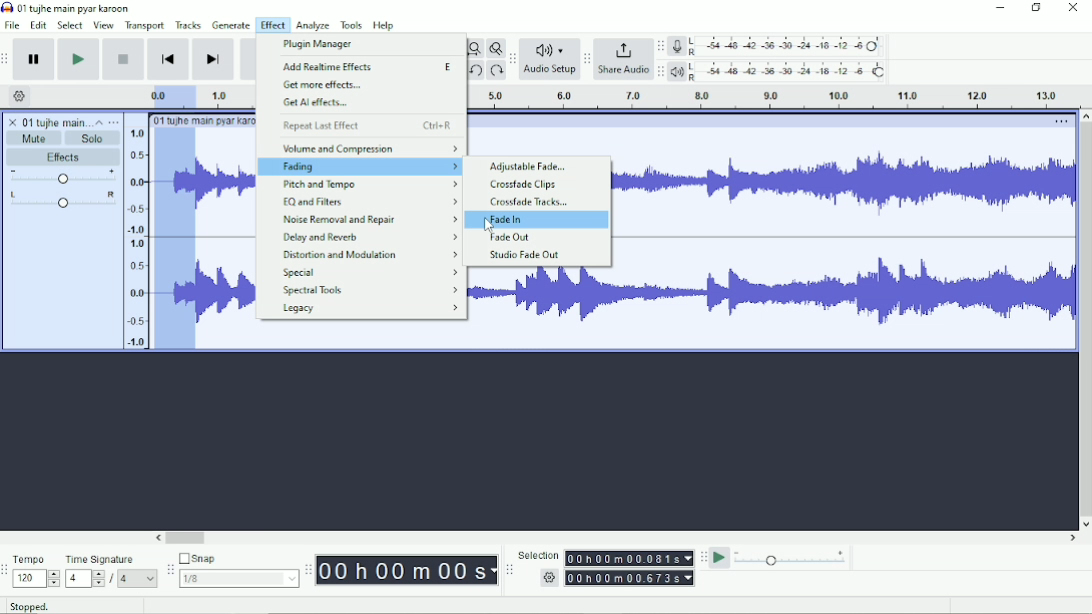  What do you see at coordinates (320, 44) in the screenshot?
I see `Plugin Manager` at bounding box center [320, 44].